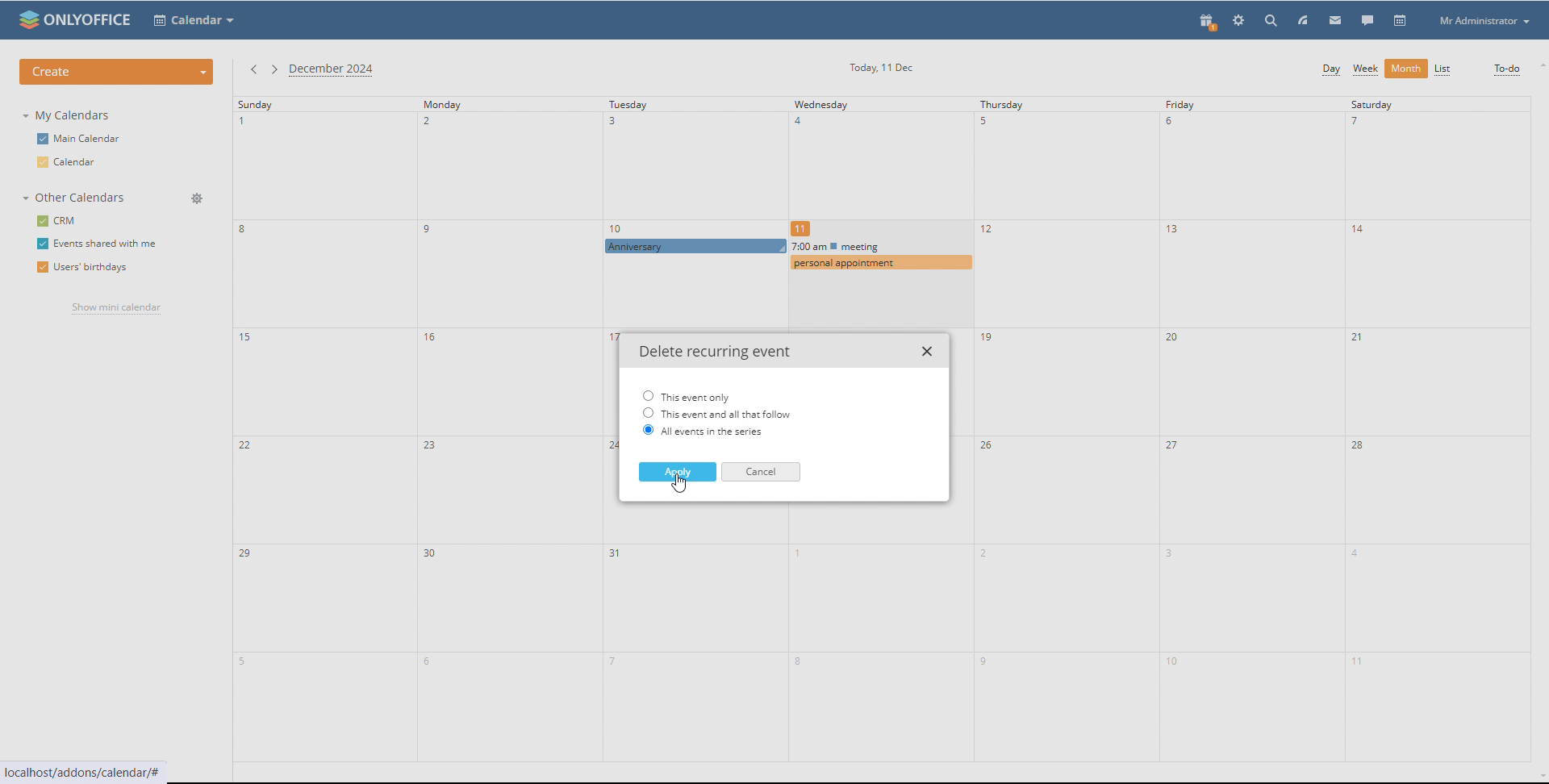 Image resolution: width=1549 pixels, height=784 pixels. Describe the element at coordinates (1405, 69) in the screenshot. I see `month` at that location.